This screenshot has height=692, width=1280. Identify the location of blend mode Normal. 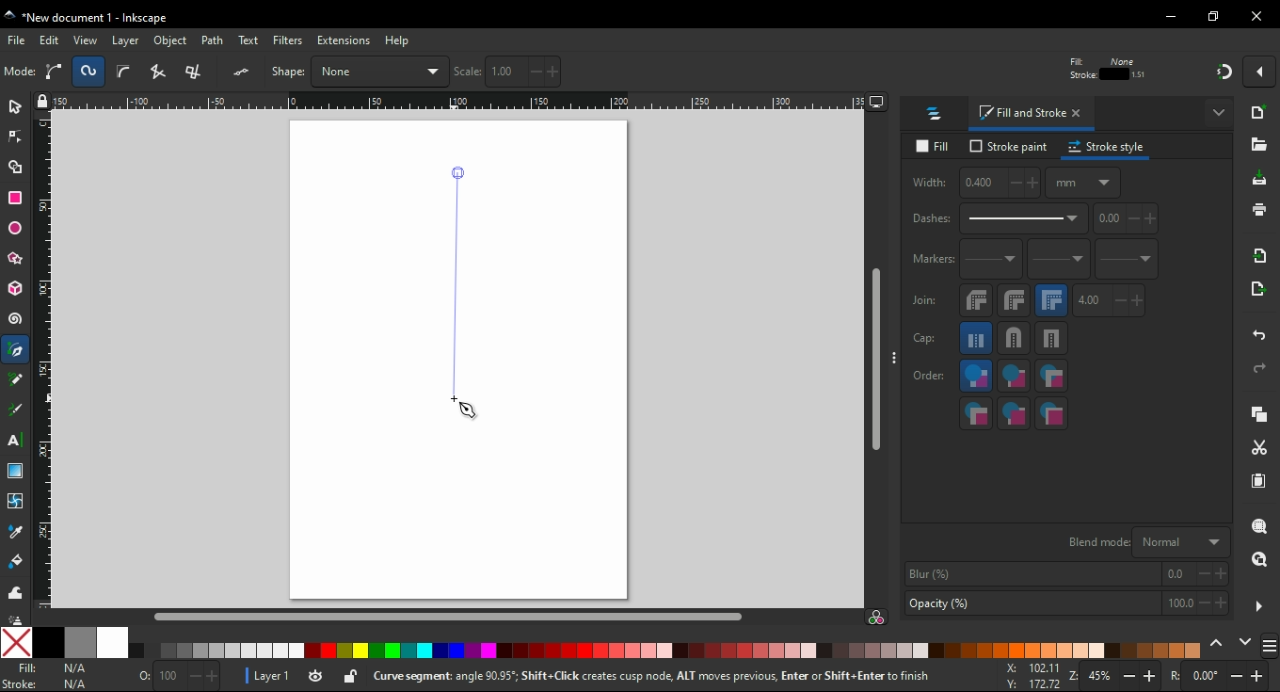
(1145, 541).